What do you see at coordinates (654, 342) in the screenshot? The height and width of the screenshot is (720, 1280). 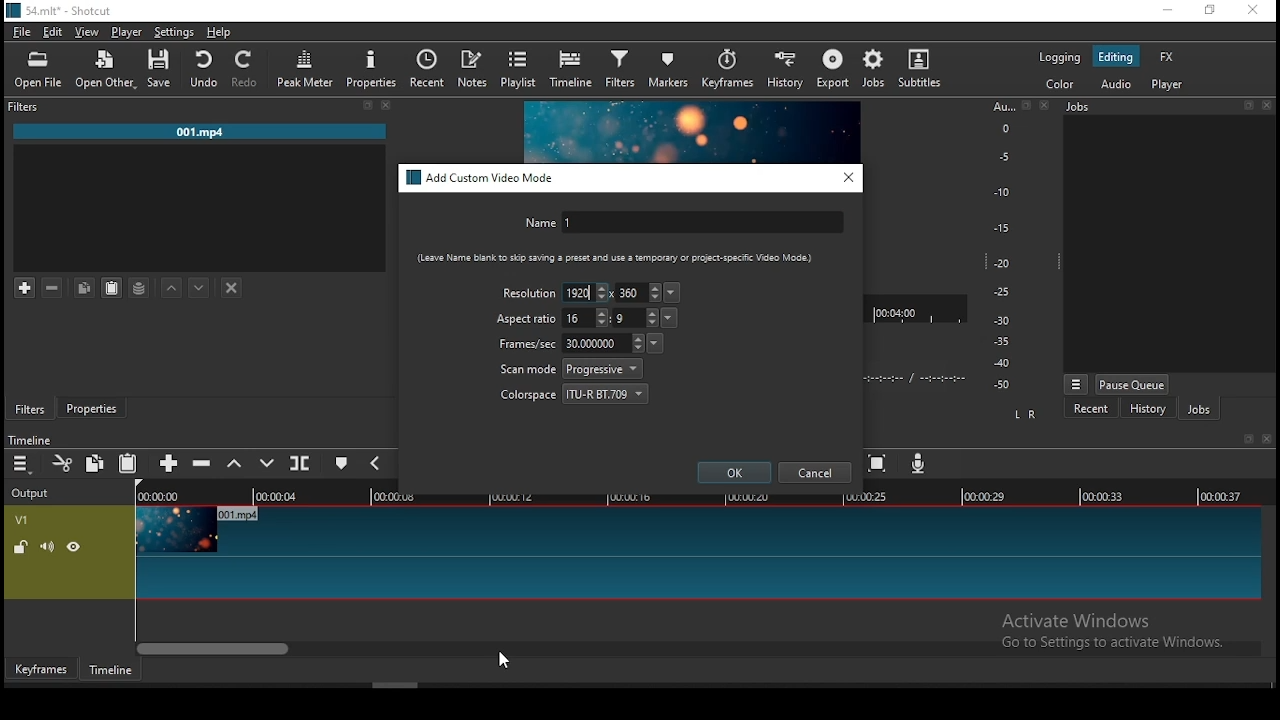 I see `frames per second presets` at bounding box center [654, 342].